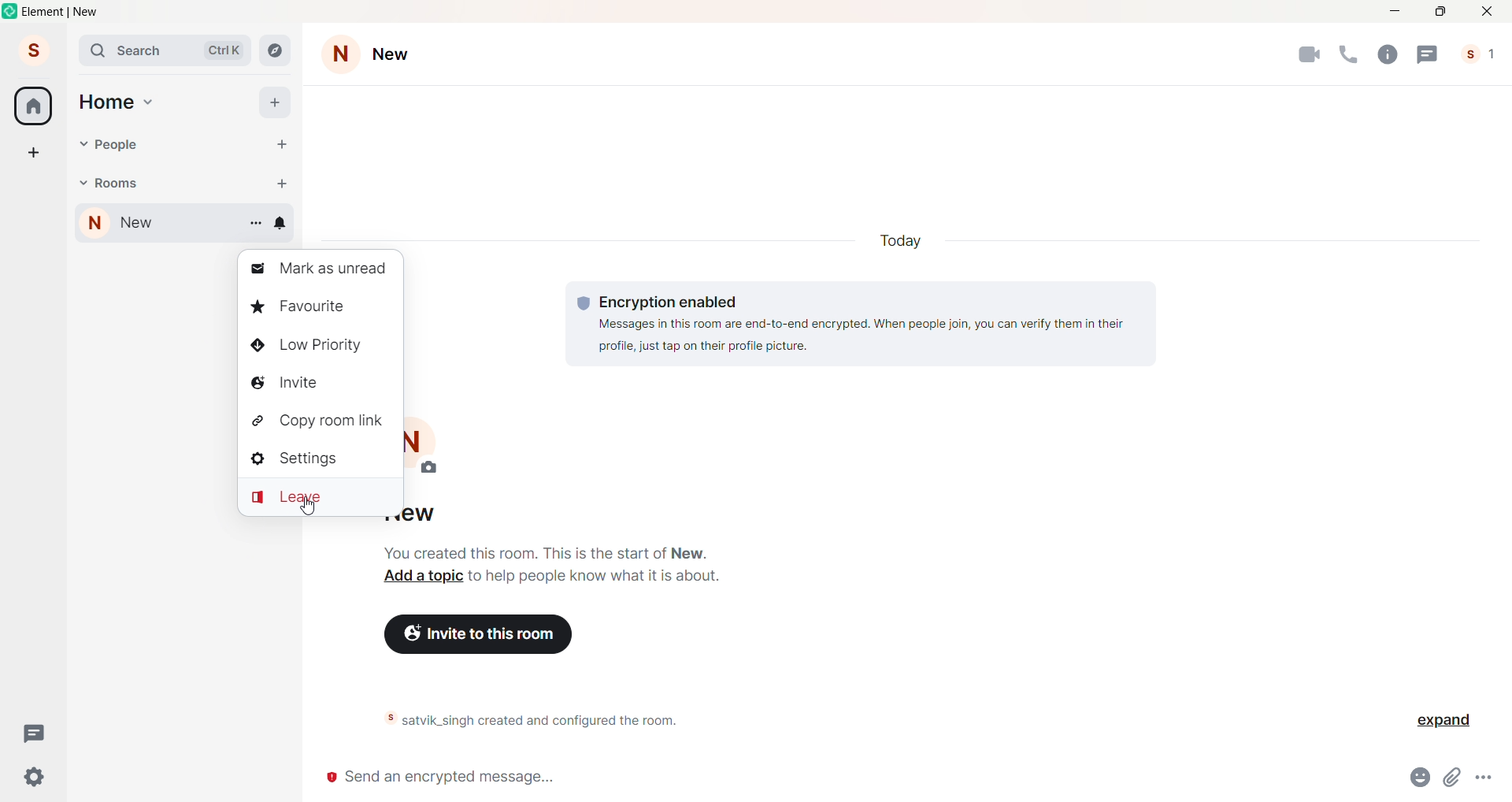 The height and width of the screenshot is (802, 1512). What do you see at coordinates (274, 50) in the screenshot?
I see `Explore Rooms` at bounding box center [274, 50].